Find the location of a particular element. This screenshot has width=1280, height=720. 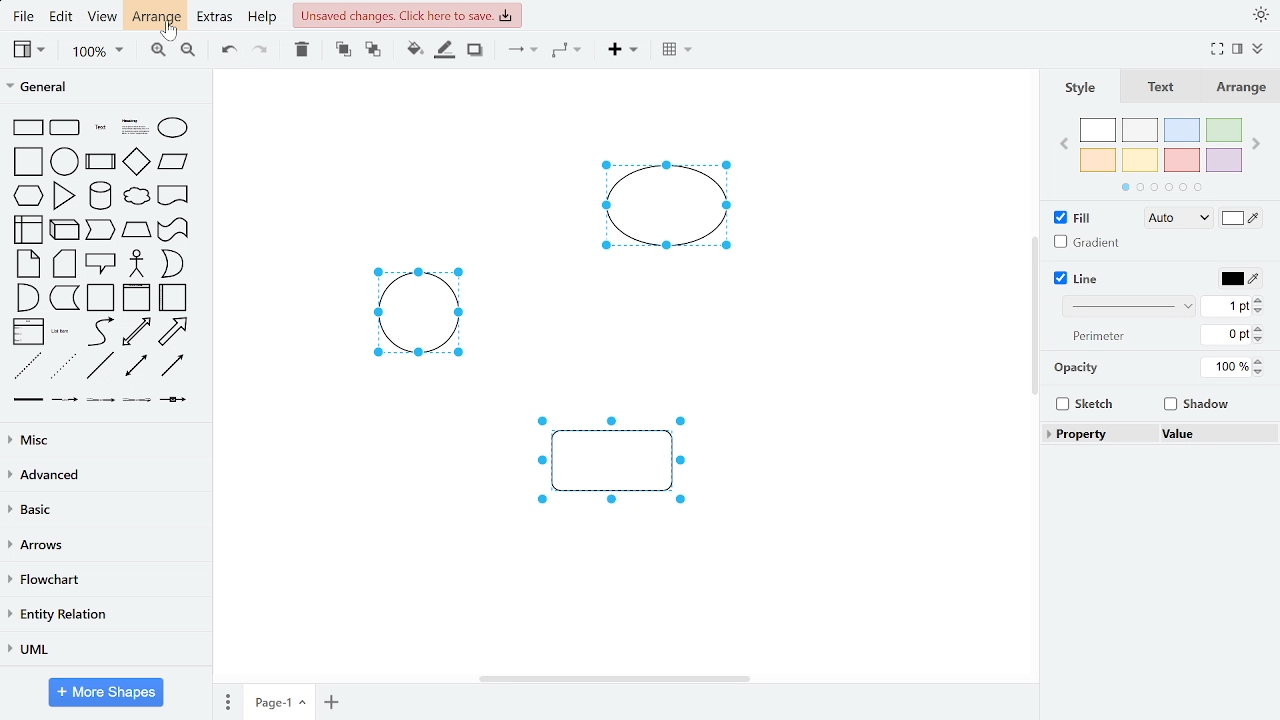

Connector with 2 label is located at coordinates (101, 404).